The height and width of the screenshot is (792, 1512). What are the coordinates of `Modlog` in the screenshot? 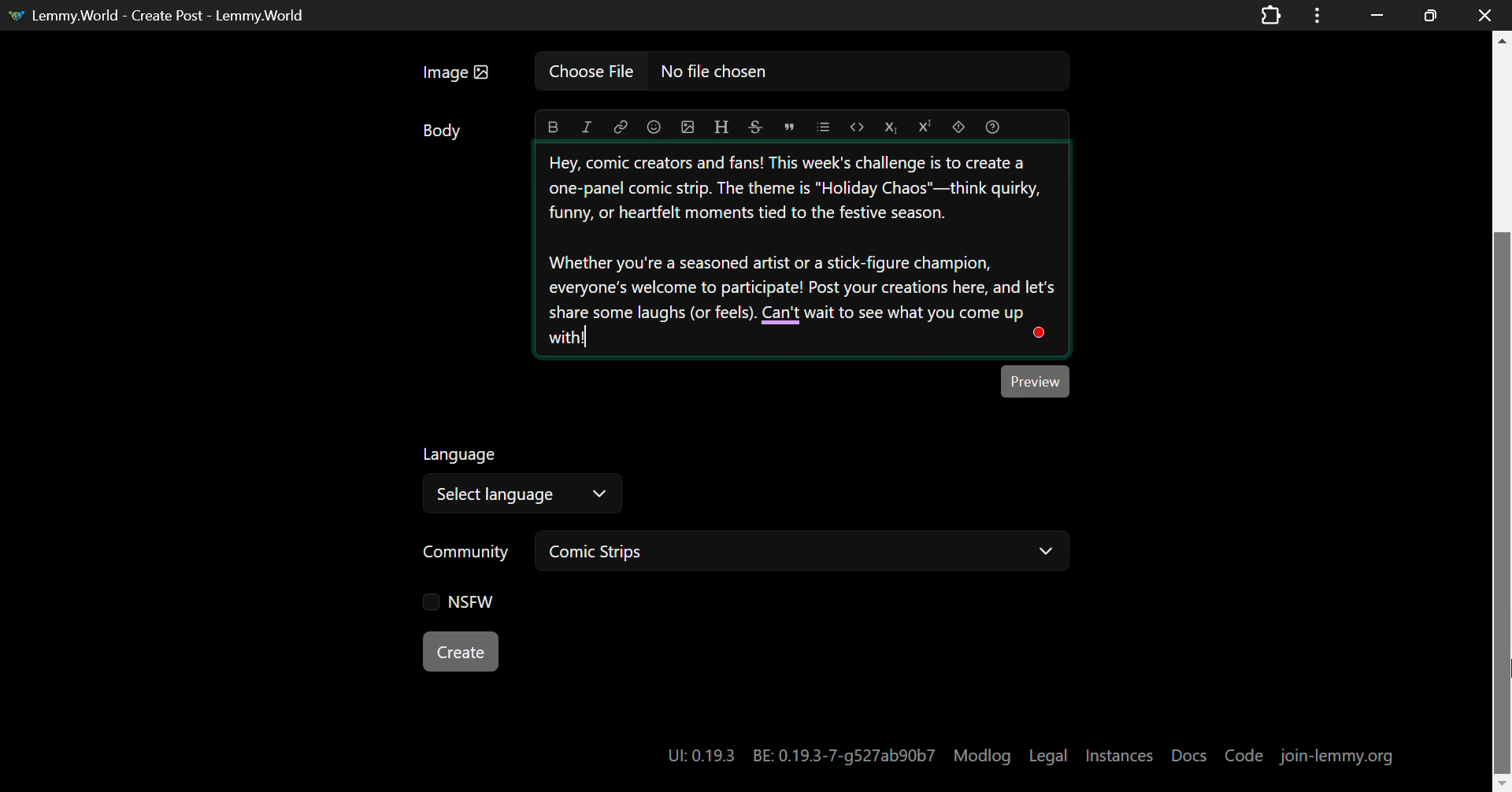 It's located at (982, 756).